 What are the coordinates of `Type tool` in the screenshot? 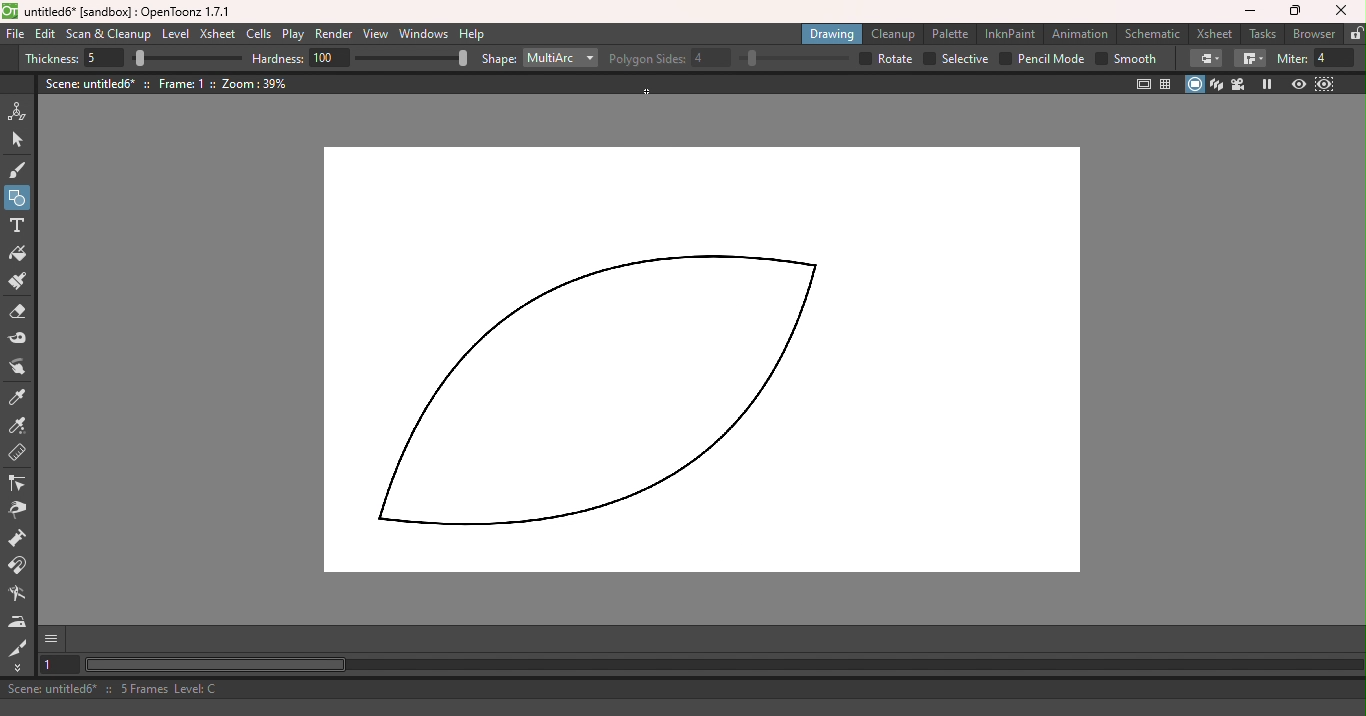 It's located at (19, 226).